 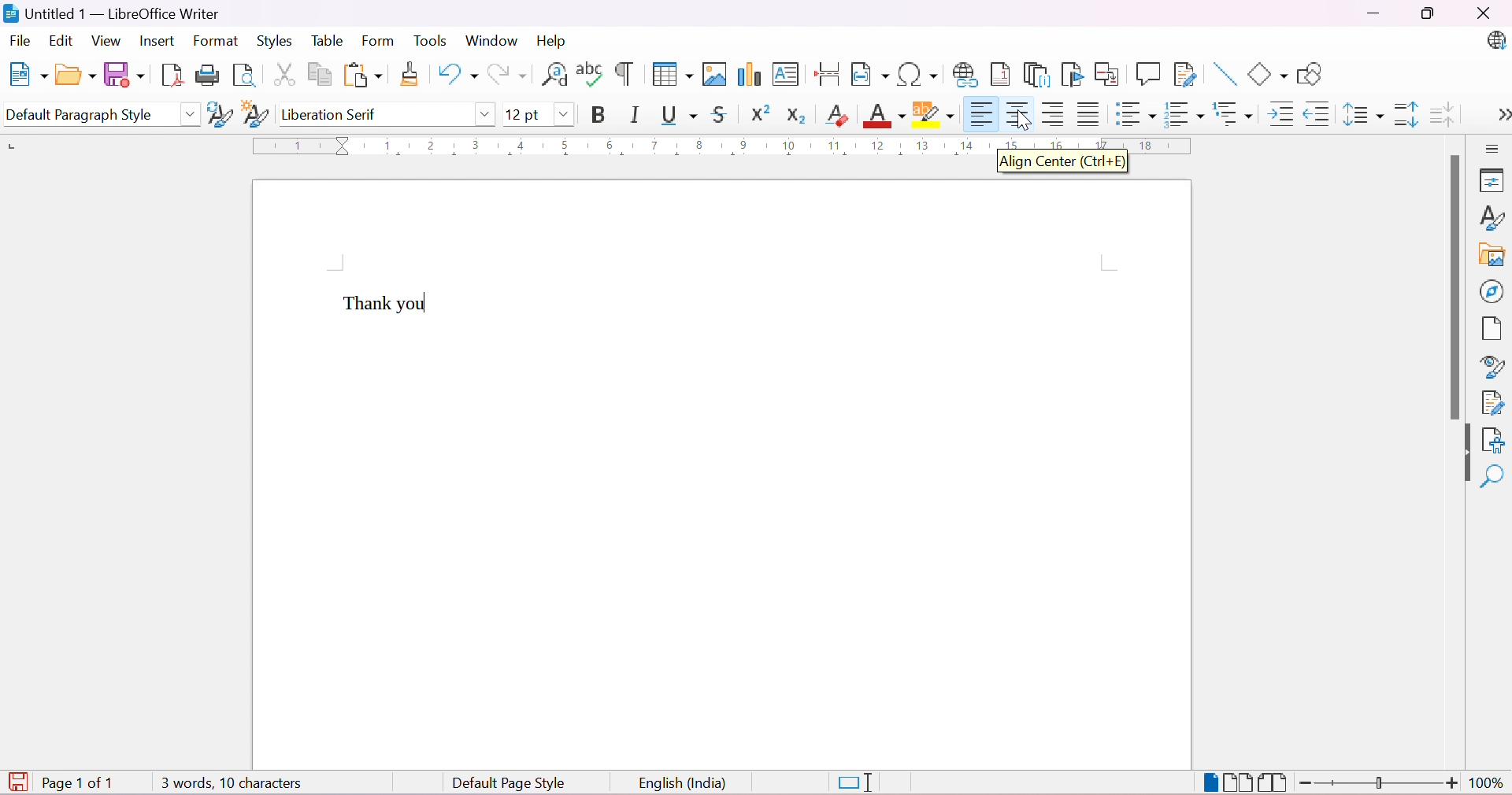 I want to click on File, so click(x=20, y=39).